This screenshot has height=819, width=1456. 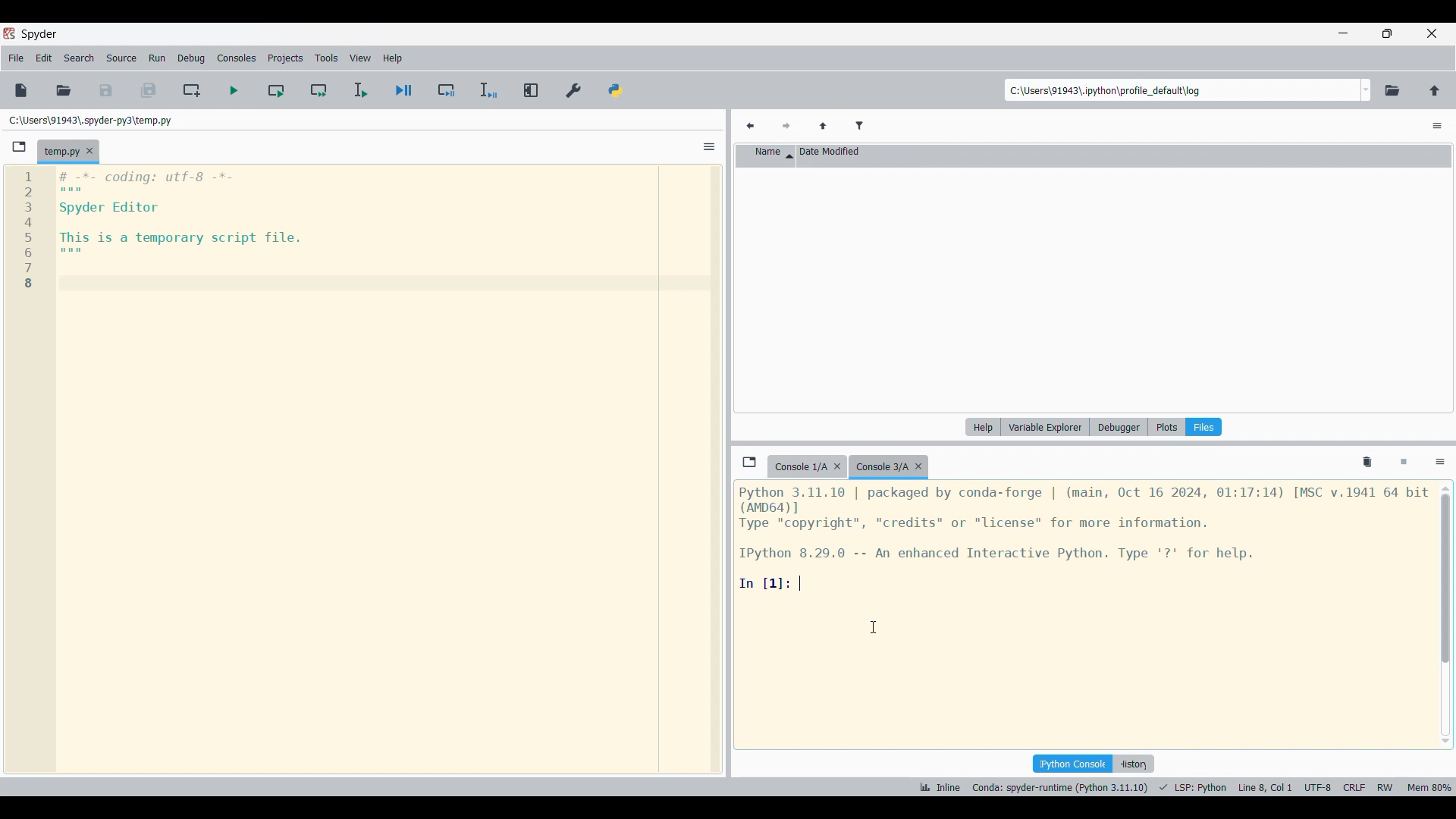 I want to click on IPython console, so click(x=1072, y=764).